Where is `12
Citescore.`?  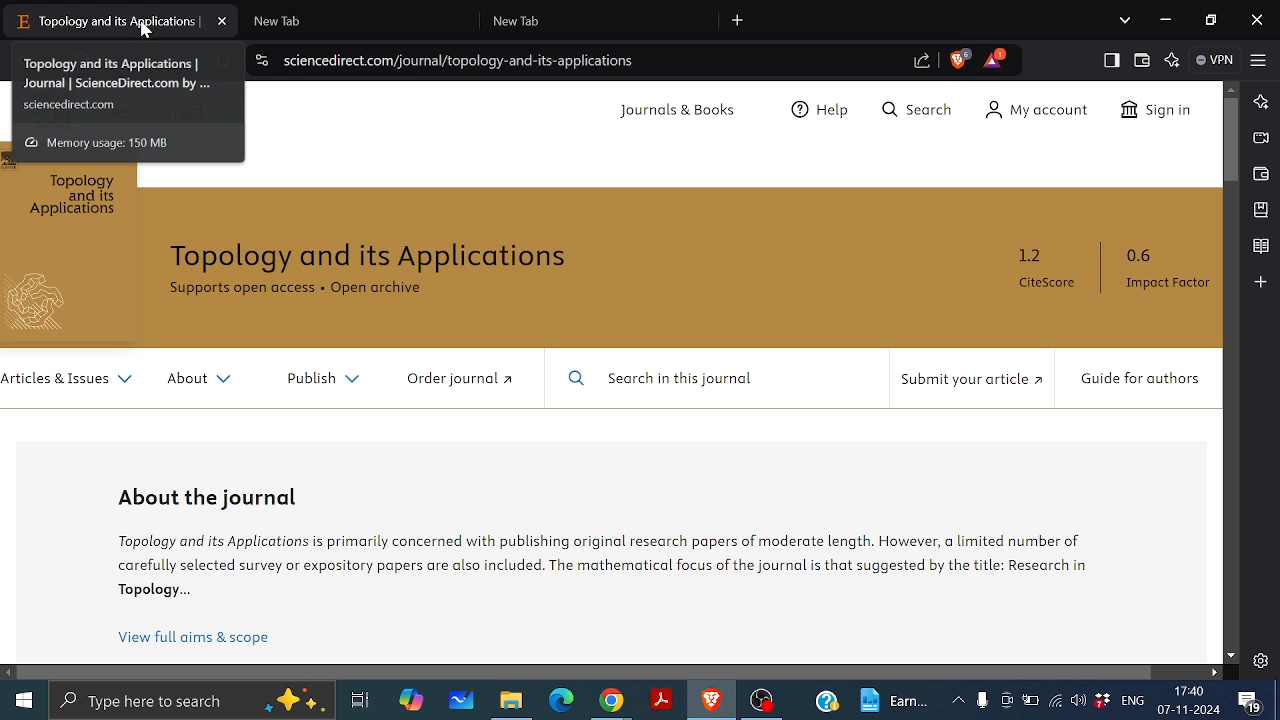
12
Citescore. is located at coordinates (1046, 269).